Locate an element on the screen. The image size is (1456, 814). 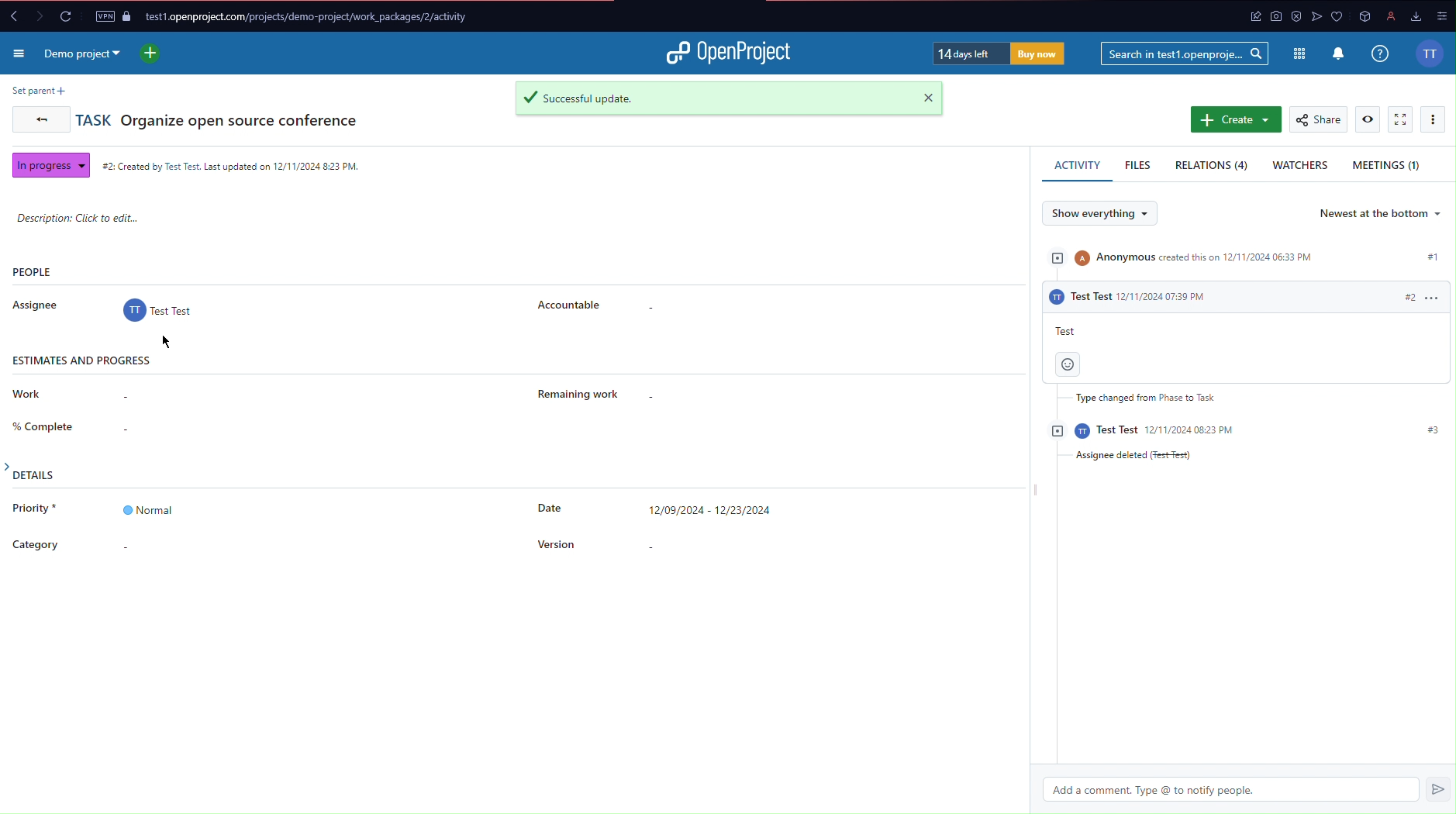
Relations is located at coordinates (1212, 167).